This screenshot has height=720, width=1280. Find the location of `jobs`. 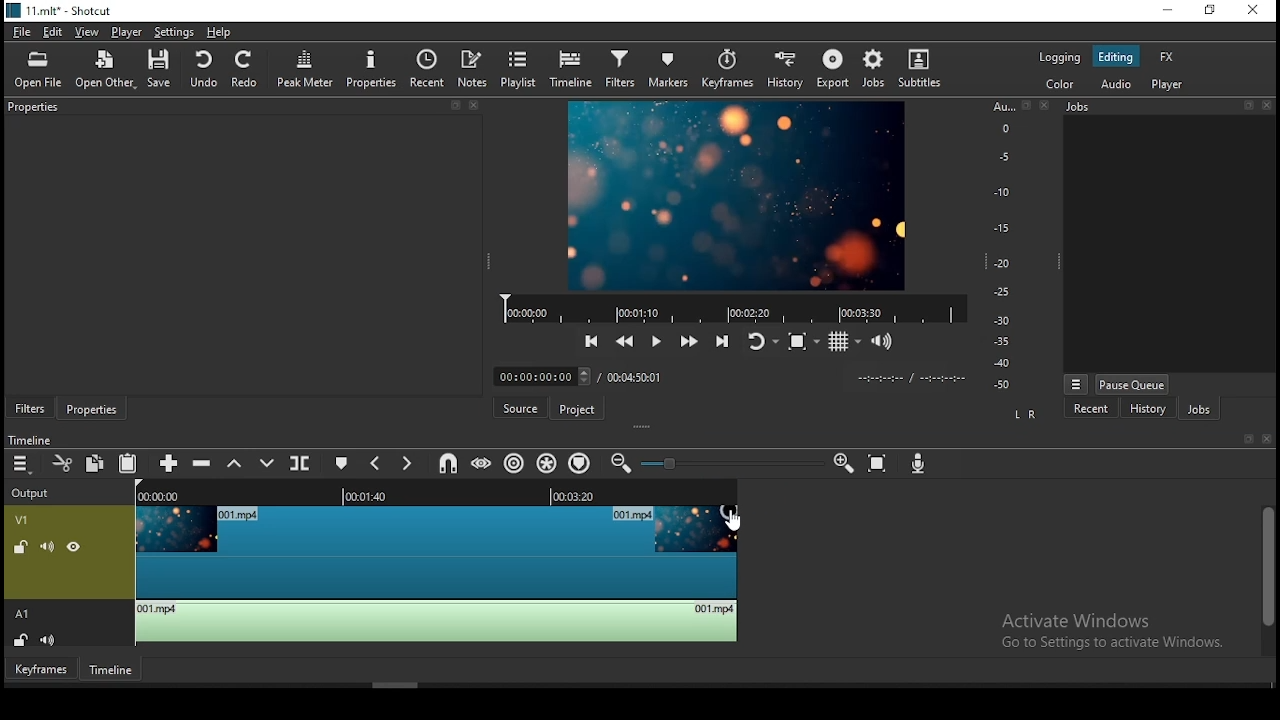

jobs is located at coordinates (880, 69).